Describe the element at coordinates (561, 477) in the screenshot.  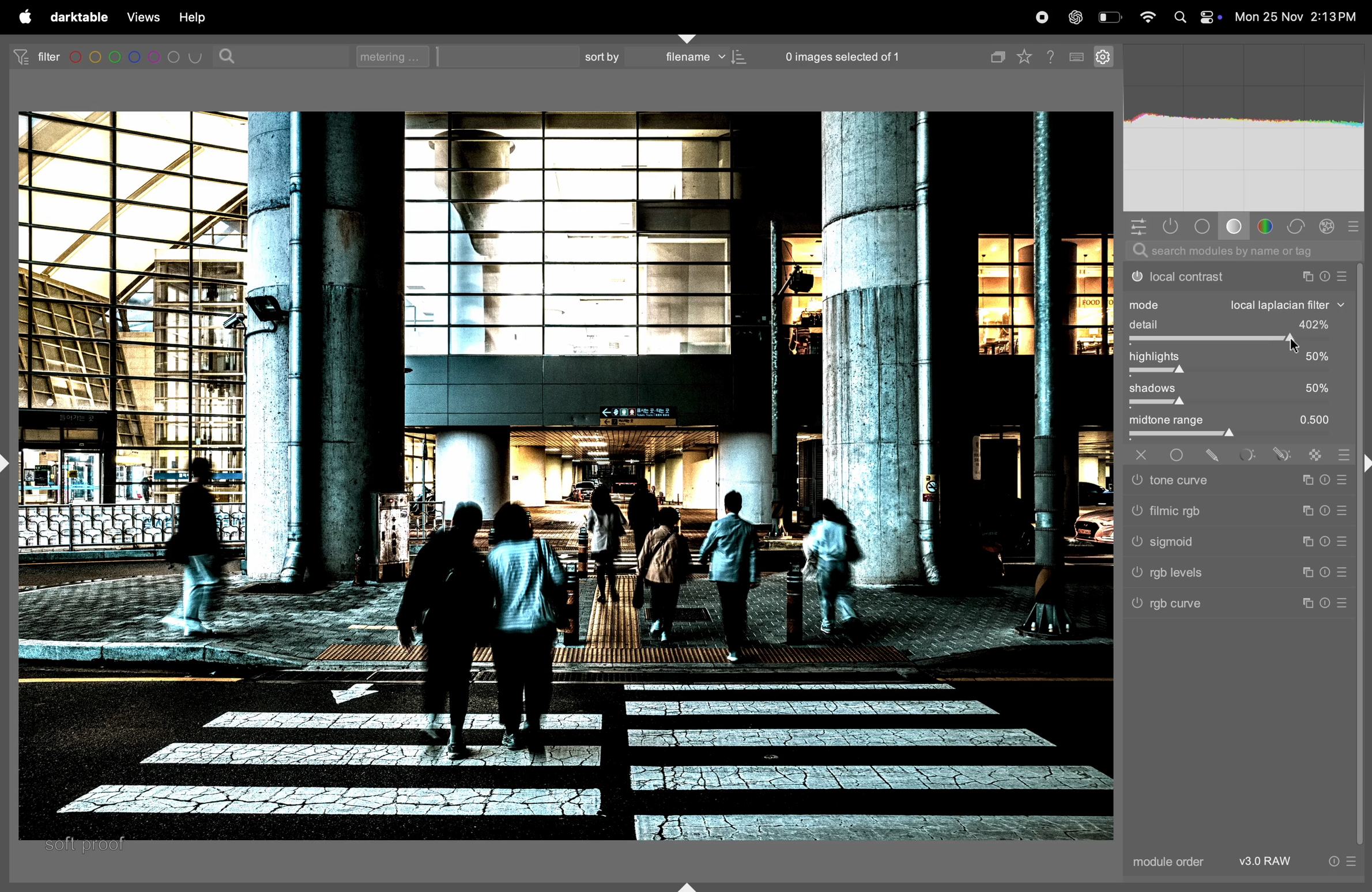
I see `image` at that location.